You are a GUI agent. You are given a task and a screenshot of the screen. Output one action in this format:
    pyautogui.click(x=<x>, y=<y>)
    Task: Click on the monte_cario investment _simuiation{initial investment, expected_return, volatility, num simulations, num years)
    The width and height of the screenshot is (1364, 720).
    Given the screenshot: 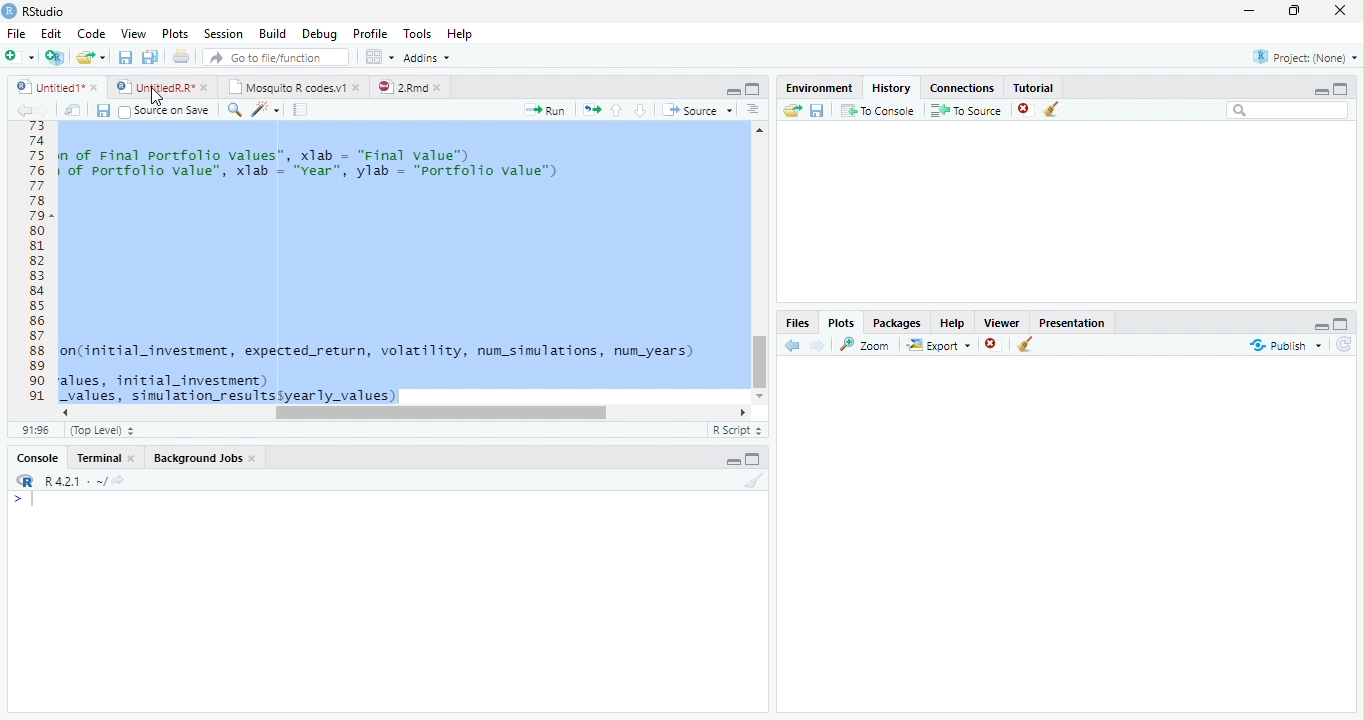 What is the action you would take?
    pyautogui.click(x=354, y=432)
    